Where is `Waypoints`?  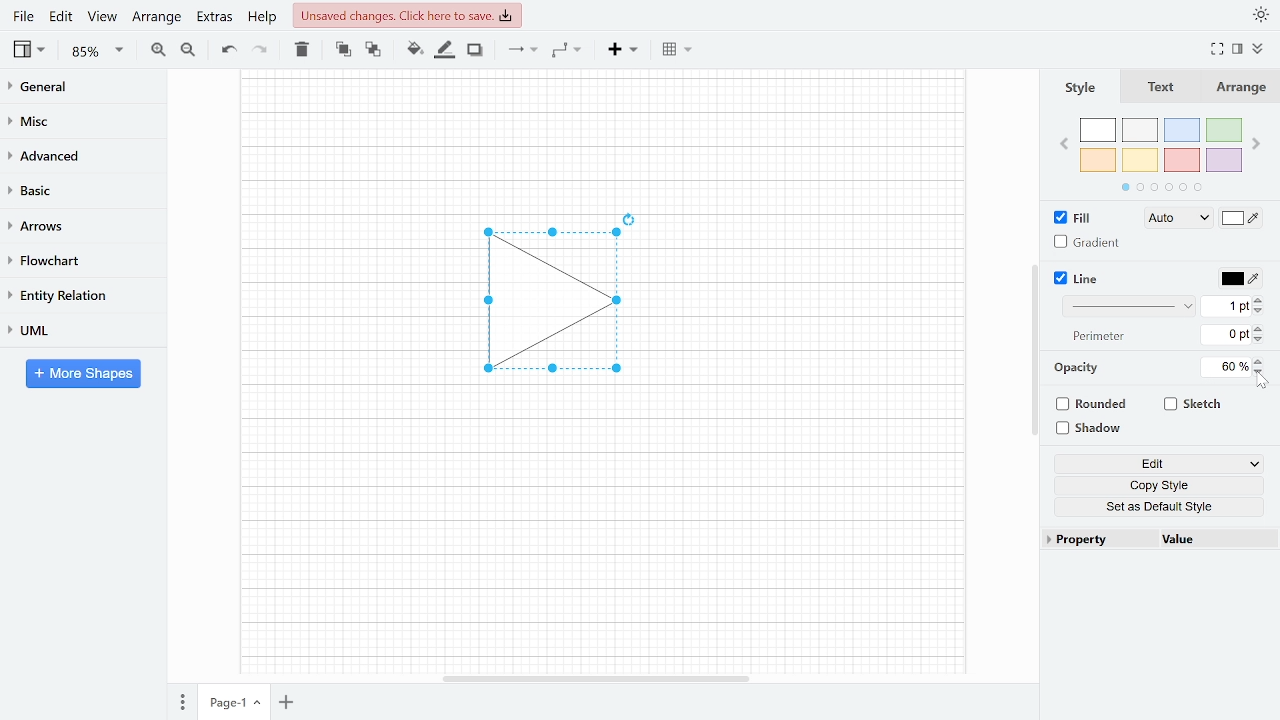 Waypoints is located at coordinates (568, 49).